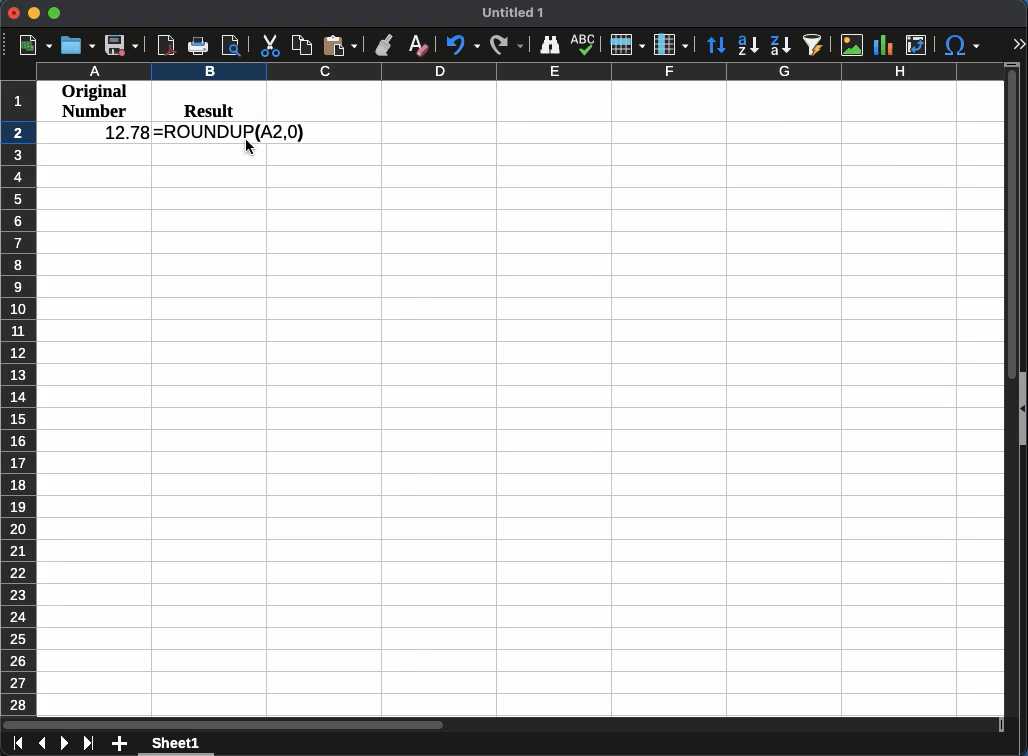  What do you see at coordinates (417, 47) in the screenshot?
I see `clear formatting` at bounding box center [417, 47].